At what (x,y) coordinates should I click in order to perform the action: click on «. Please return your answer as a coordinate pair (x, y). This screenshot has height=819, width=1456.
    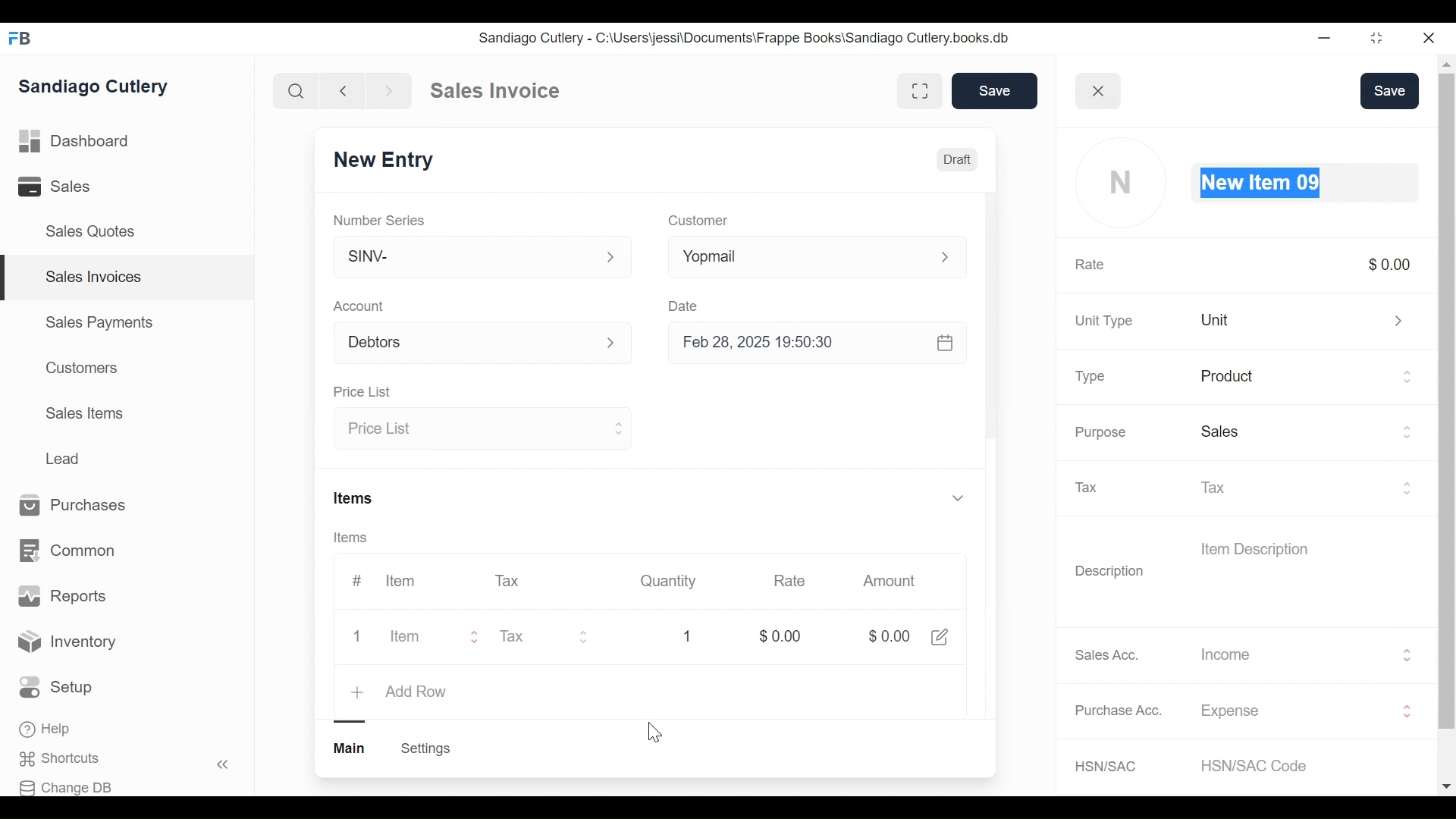
    Looking at the image, I should click on (223, 767).